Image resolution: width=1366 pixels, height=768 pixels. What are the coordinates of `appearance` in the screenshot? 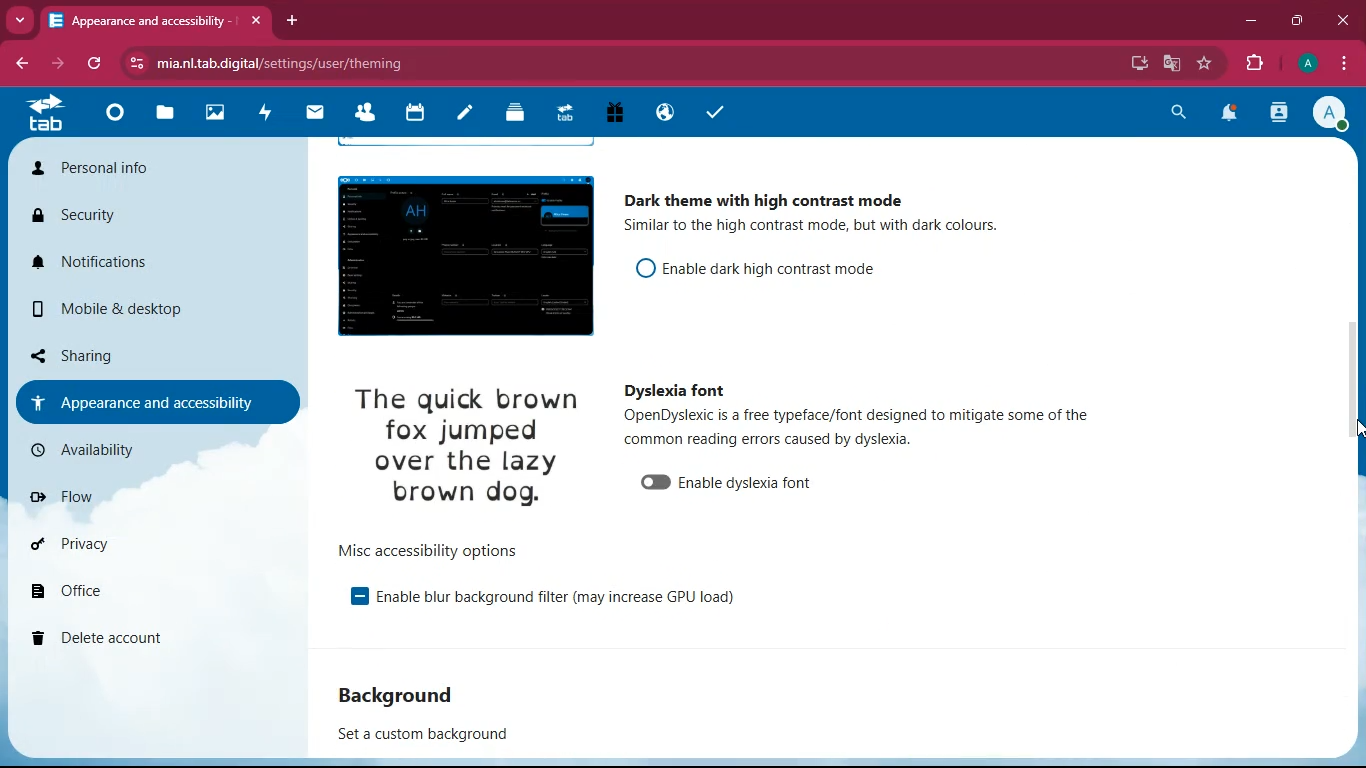 It's located at (160, 401).